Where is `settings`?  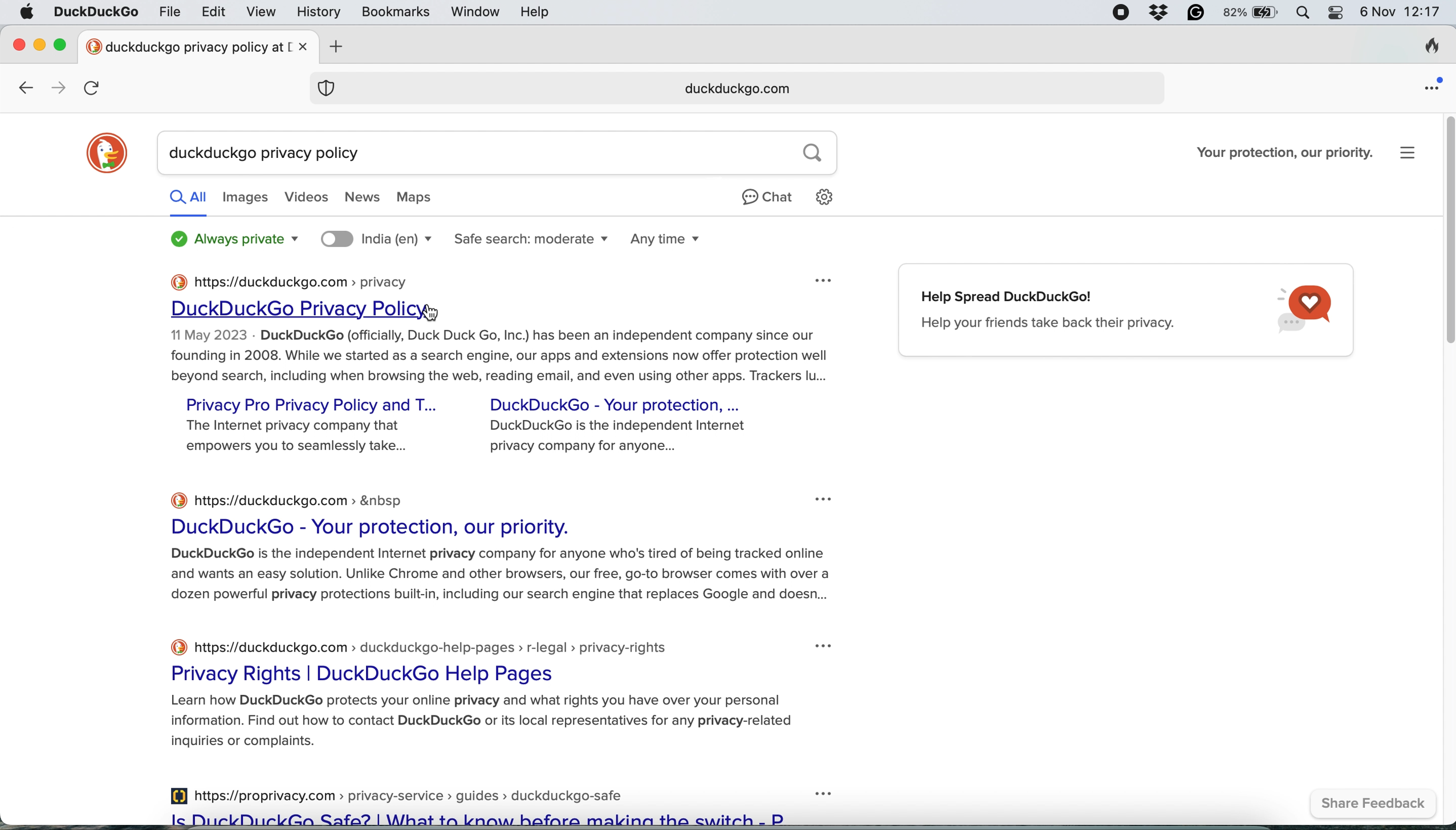 settings is located at coordinates (832, 199).